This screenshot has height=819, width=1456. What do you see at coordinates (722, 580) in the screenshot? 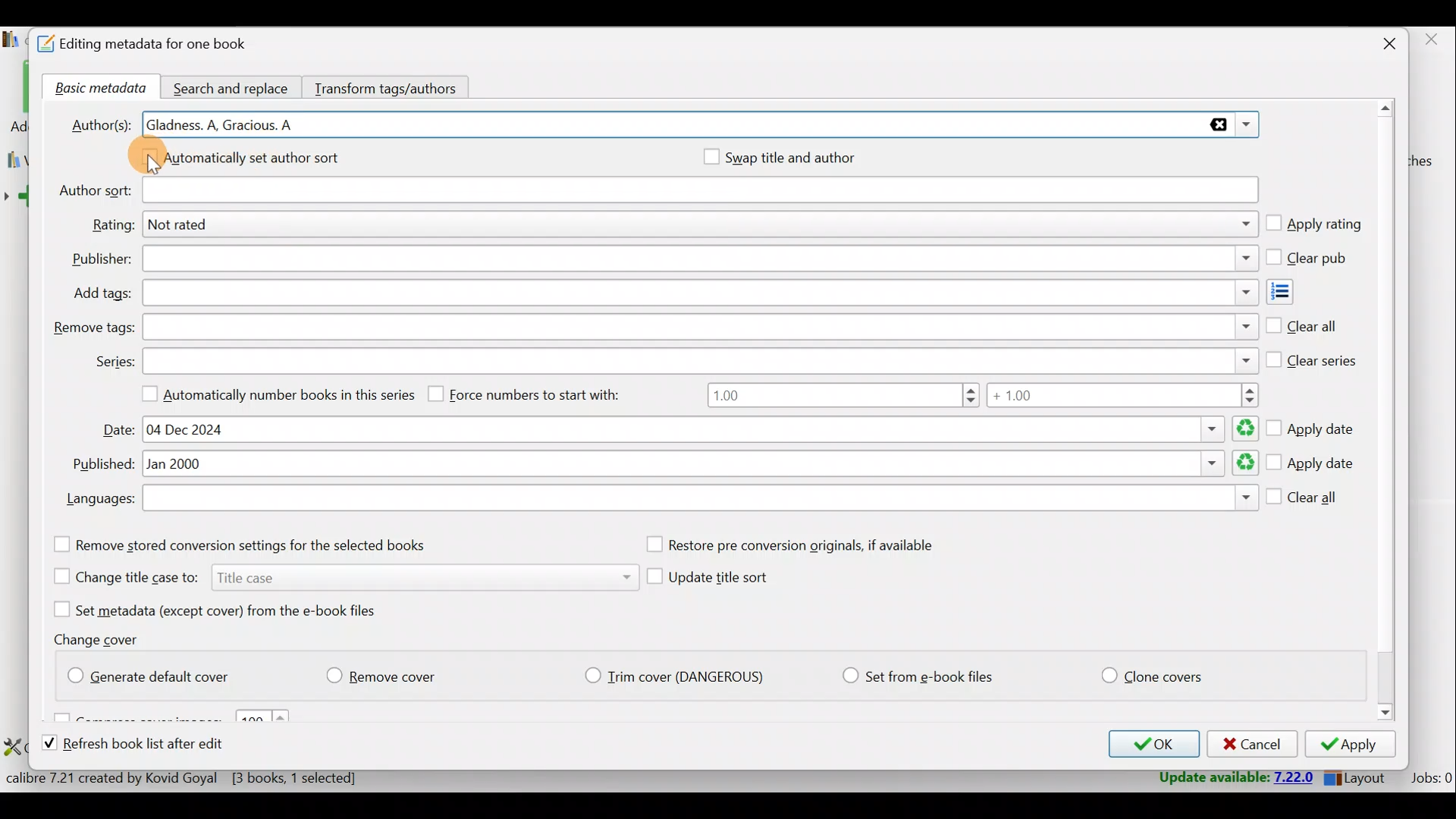
I see `Update title sort` at bounding box center [722, 580].